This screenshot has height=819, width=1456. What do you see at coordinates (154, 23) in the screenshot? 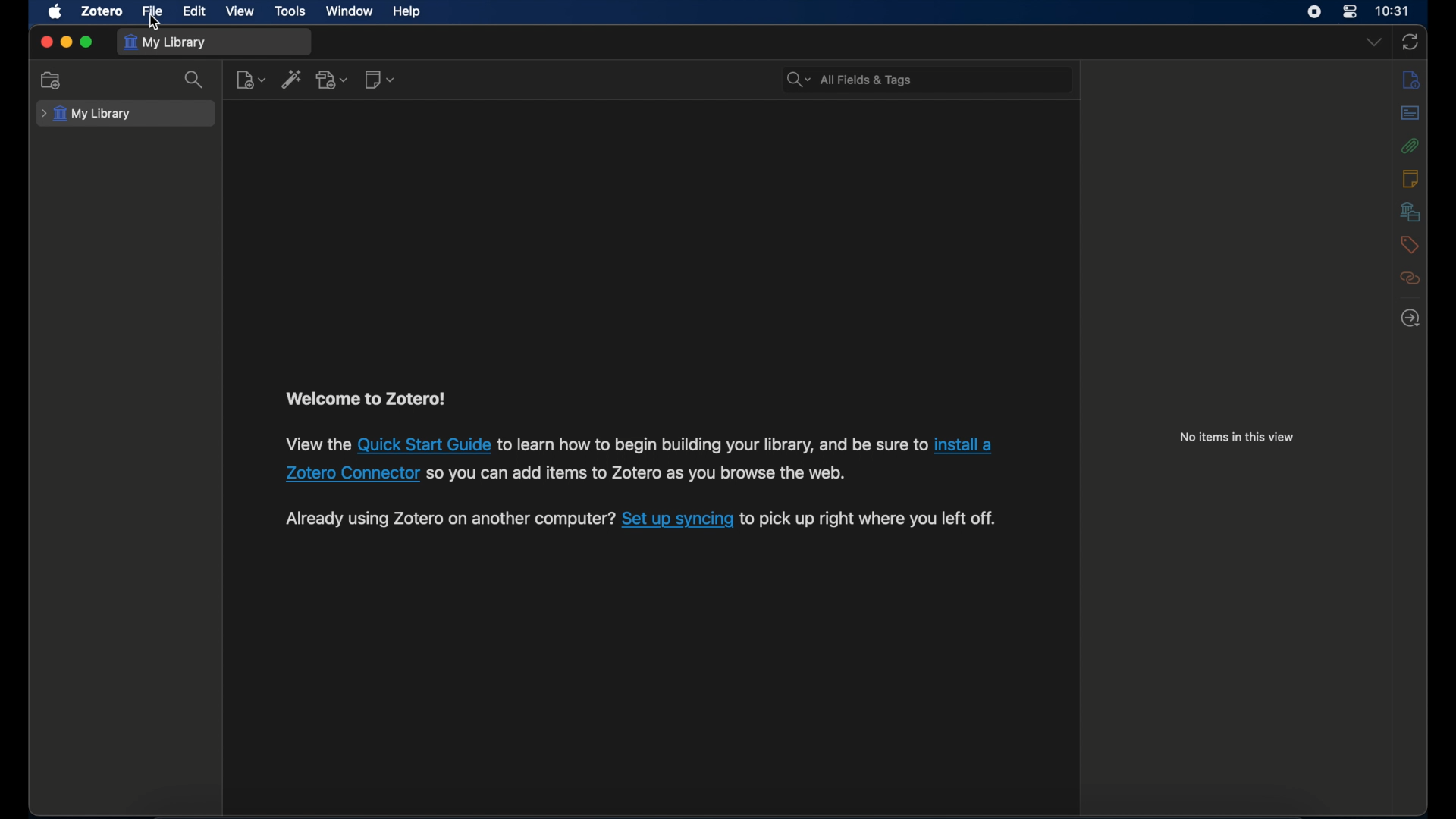
I see `cursor` at bounding box center [154, 23].